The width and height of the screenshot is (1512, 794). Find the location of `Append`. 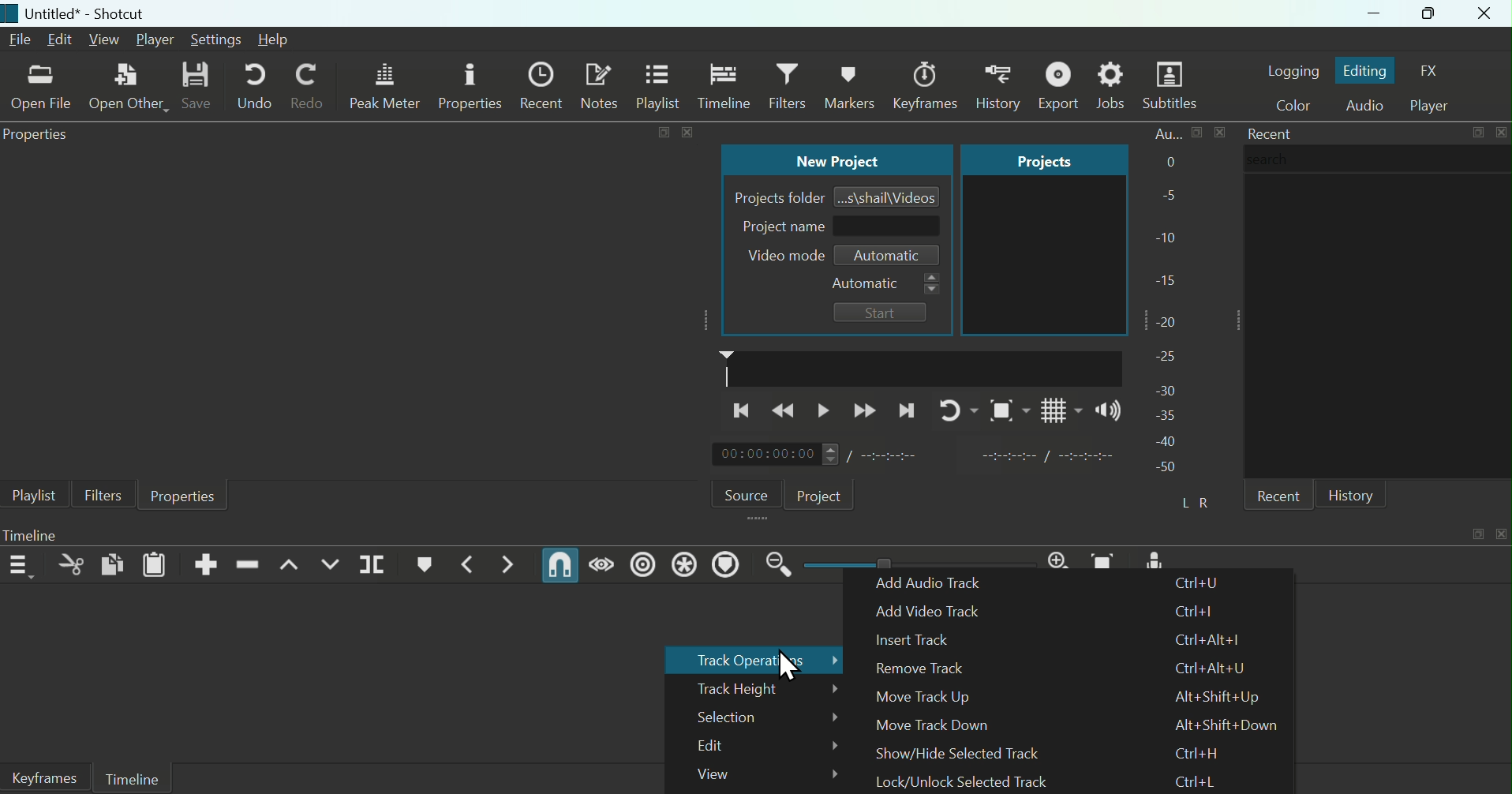

Append is located at coordinates (207, 564).